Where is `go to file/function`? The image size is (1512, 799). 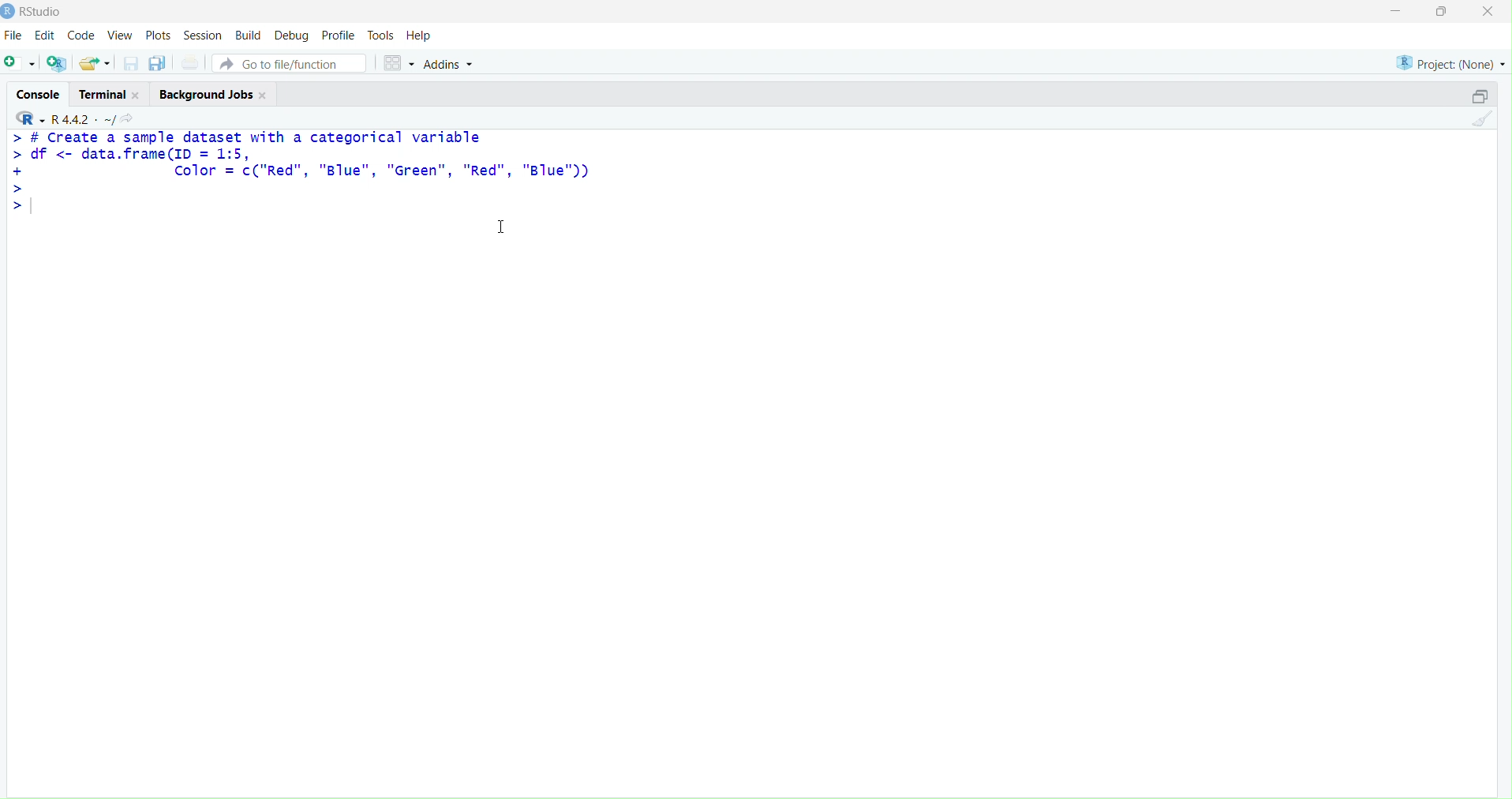
go to file/function is located at coordinates (289, 63).